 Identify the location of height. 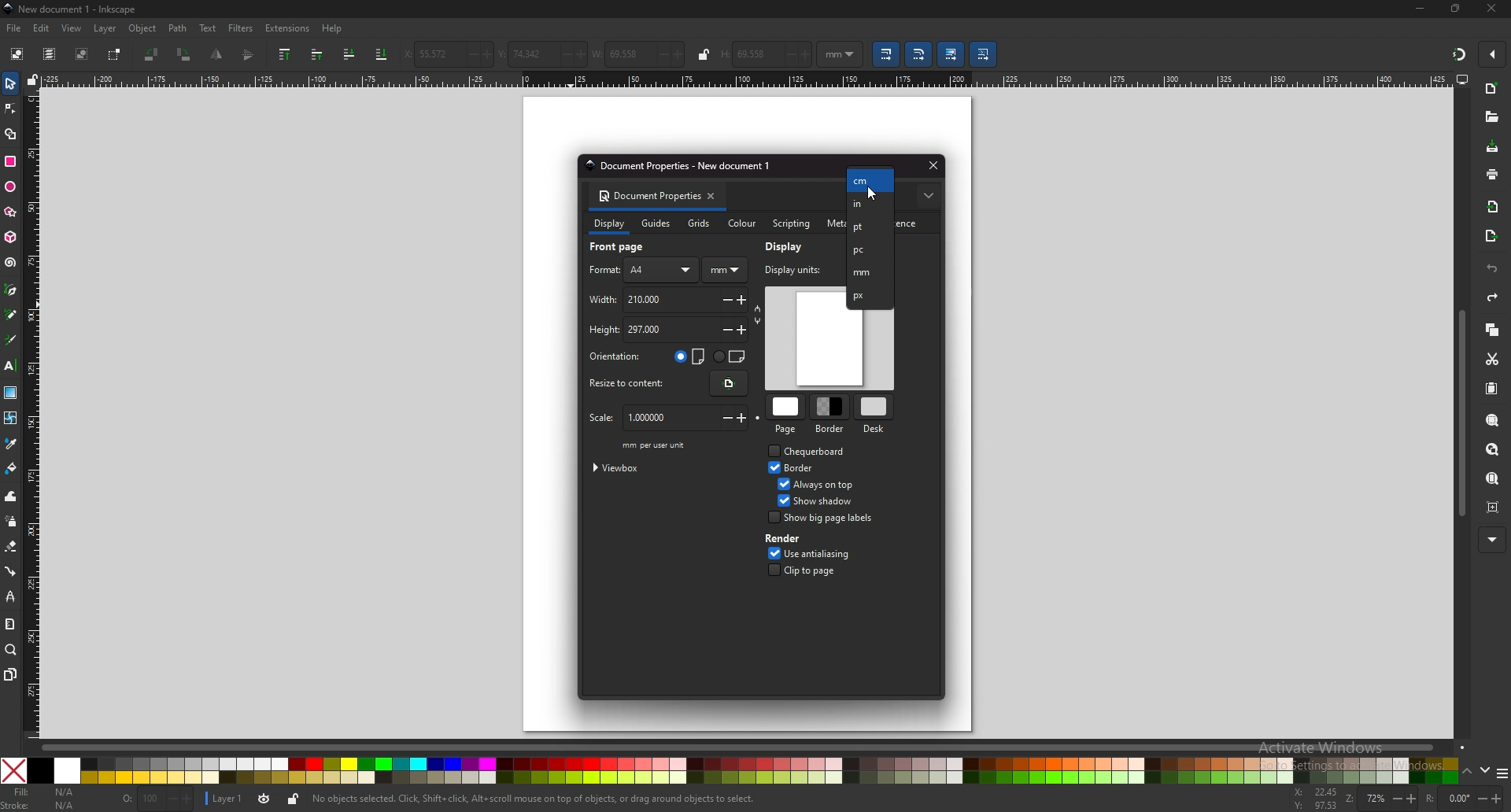
(634, 330).